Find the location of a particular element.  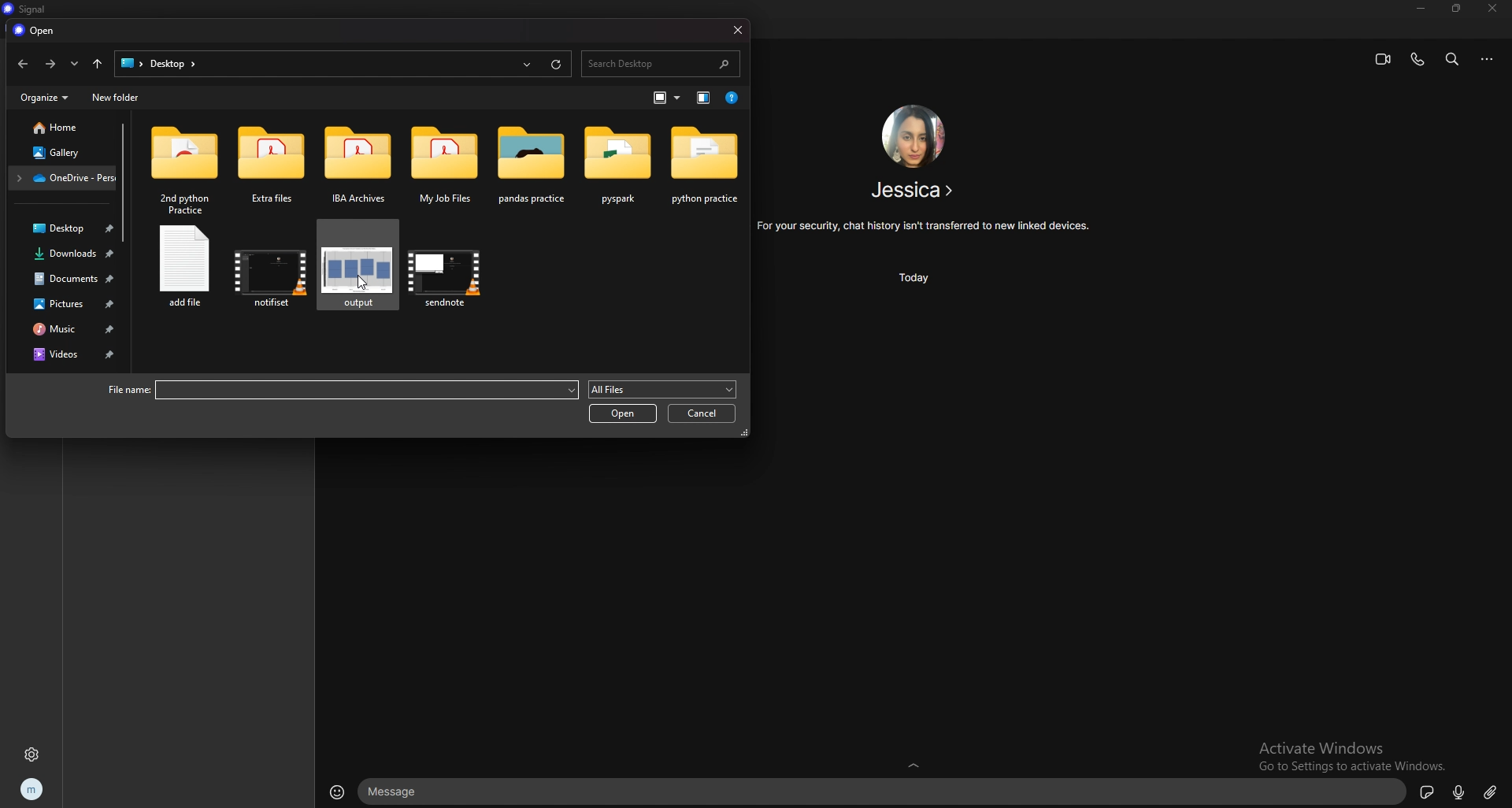

resize is located at coordinates (1457, 11).